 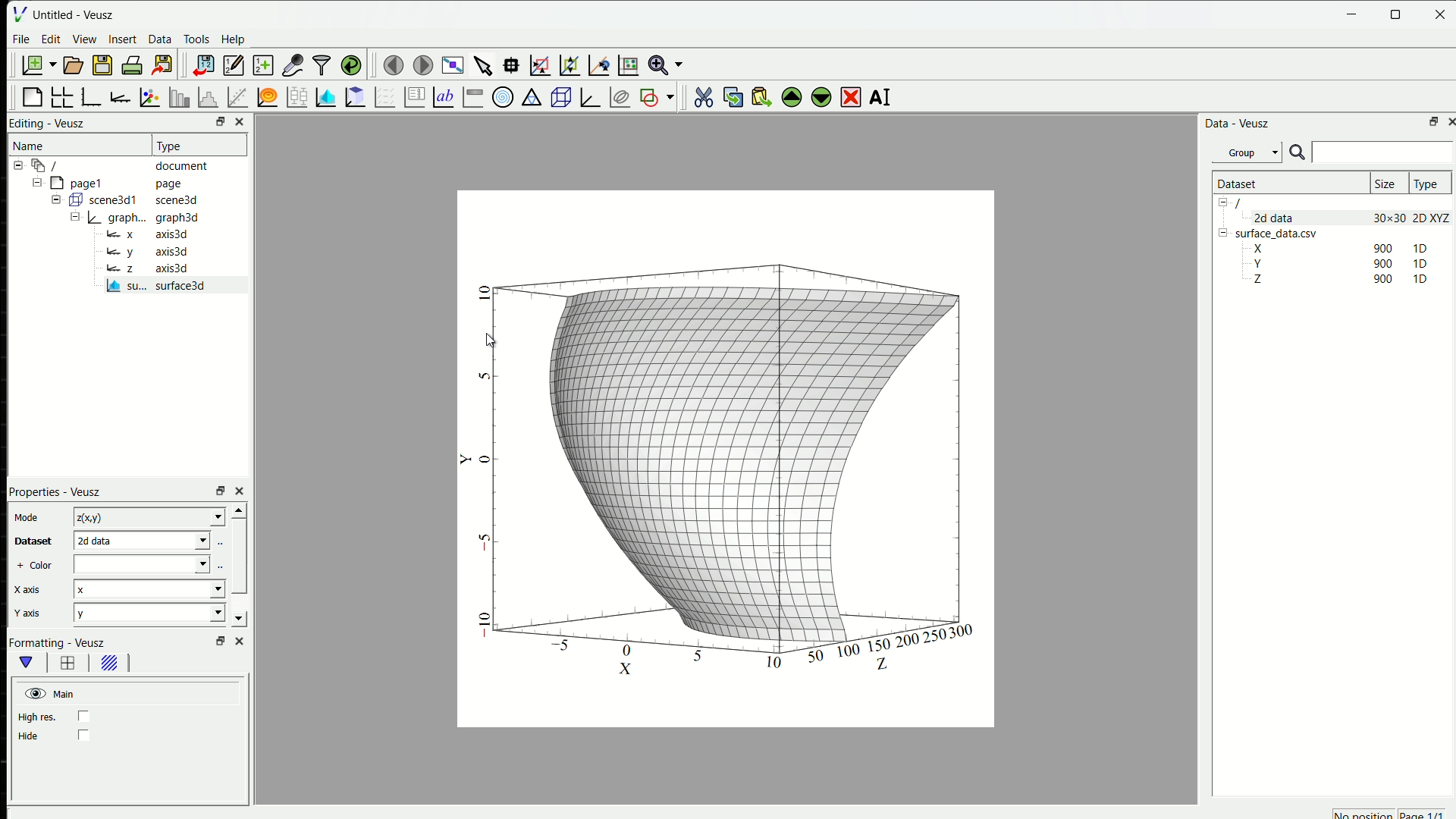 What do you see at coordinates (1440, 13) in the screenshot?
I see `close` at bounding box center [1440, 13].